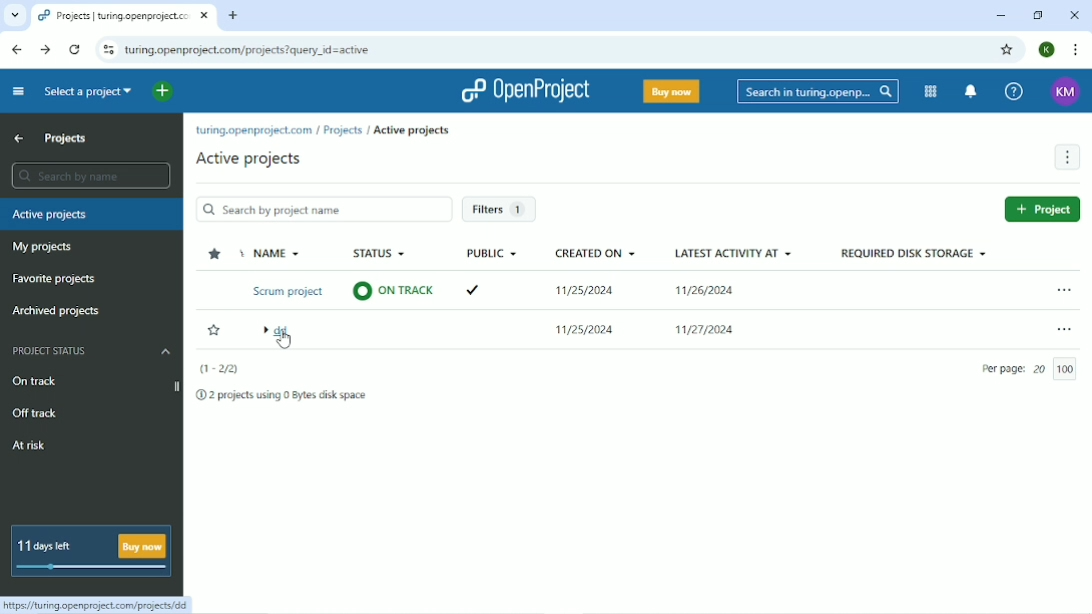  Describe the element at coordinates (214, 253) in the screenshot. I see `Sort by favorites` at that location.